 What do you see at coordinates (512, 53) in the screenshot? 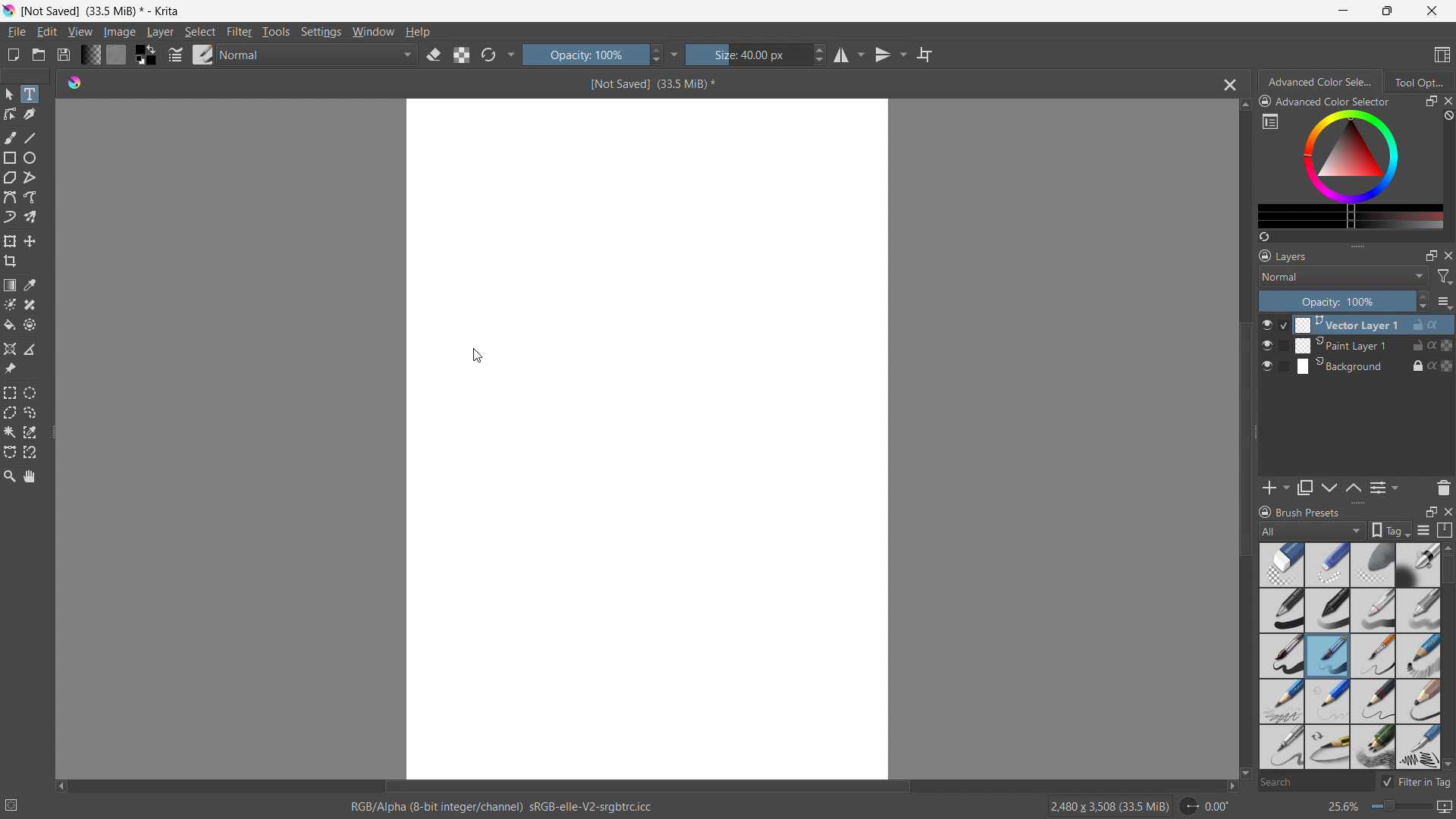
I see `more settings` at bounding box center [512, 53].